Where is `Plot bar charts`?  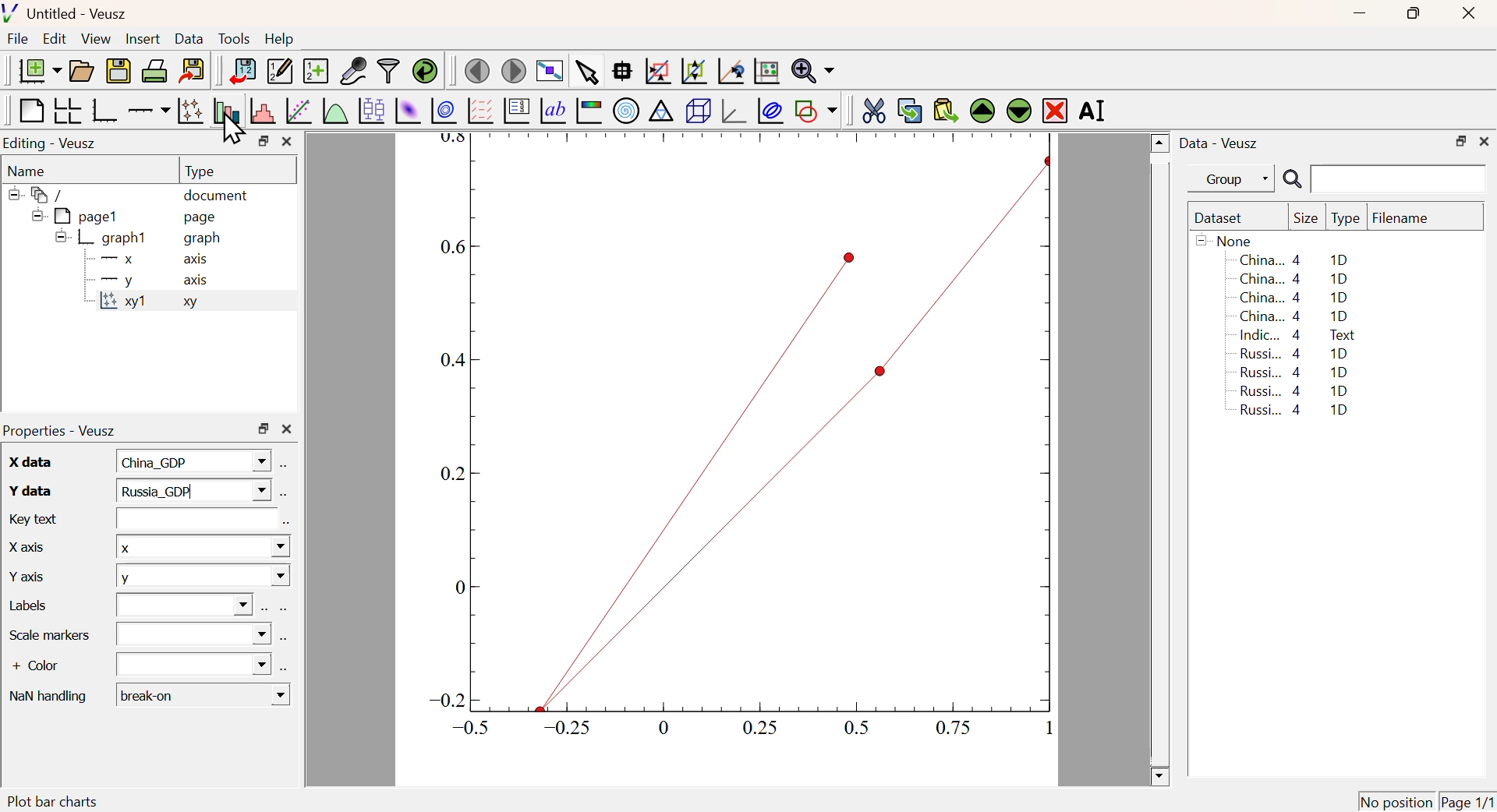
Plot bar charts is located at coordinates (53, 800).